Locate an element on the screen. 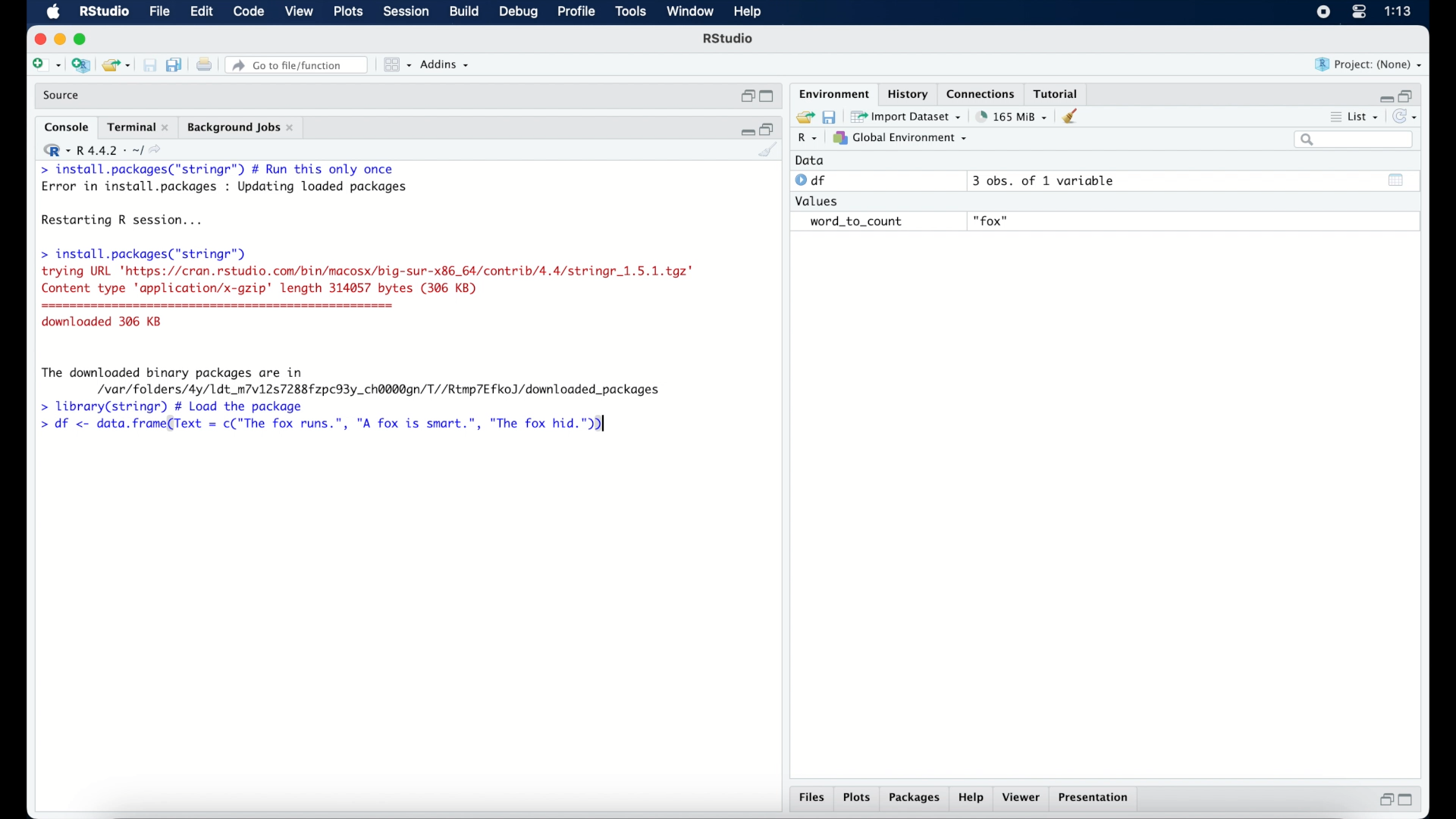  R 4.4.2 is located at coordinates (102, 150).